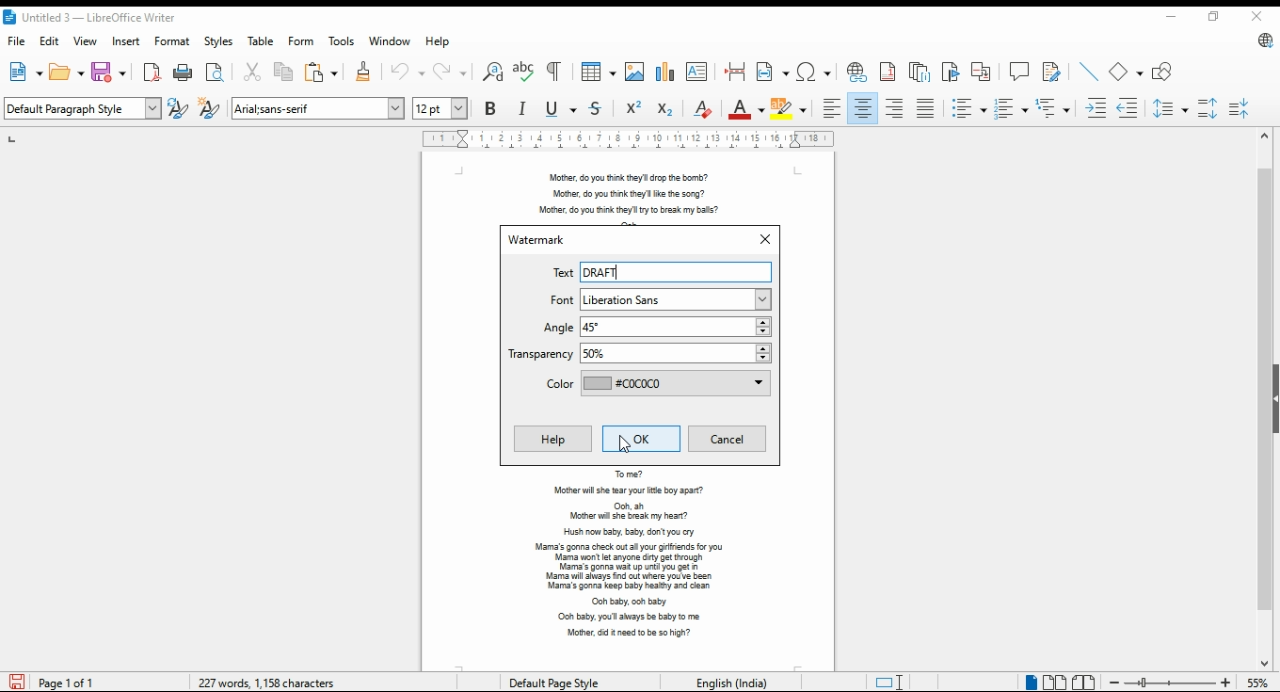 Image resolution: width=1280 pixels, height=692 pixels. I want to click on close window, so click(760, 238).